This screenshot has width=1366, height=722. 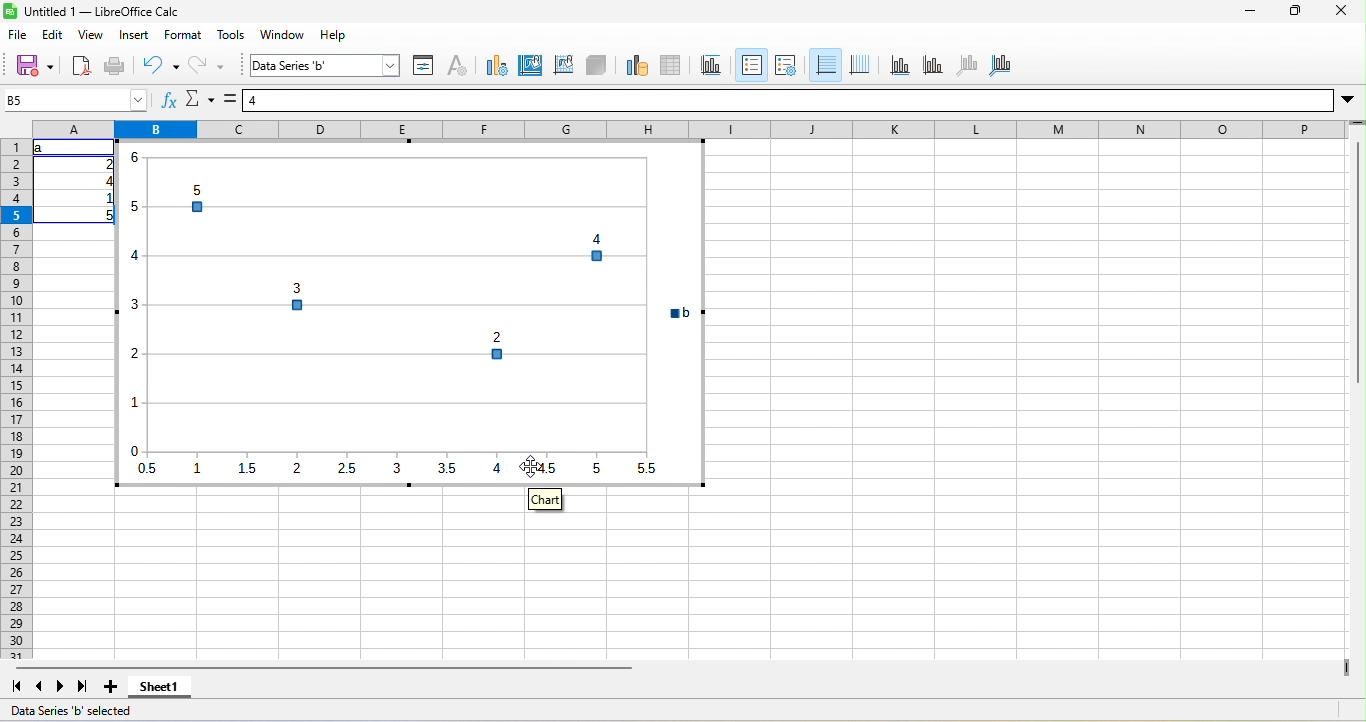 What do you see at coordinates (230, 99) in the screenshot?
I see `formula` at bounding box center [230, 99].